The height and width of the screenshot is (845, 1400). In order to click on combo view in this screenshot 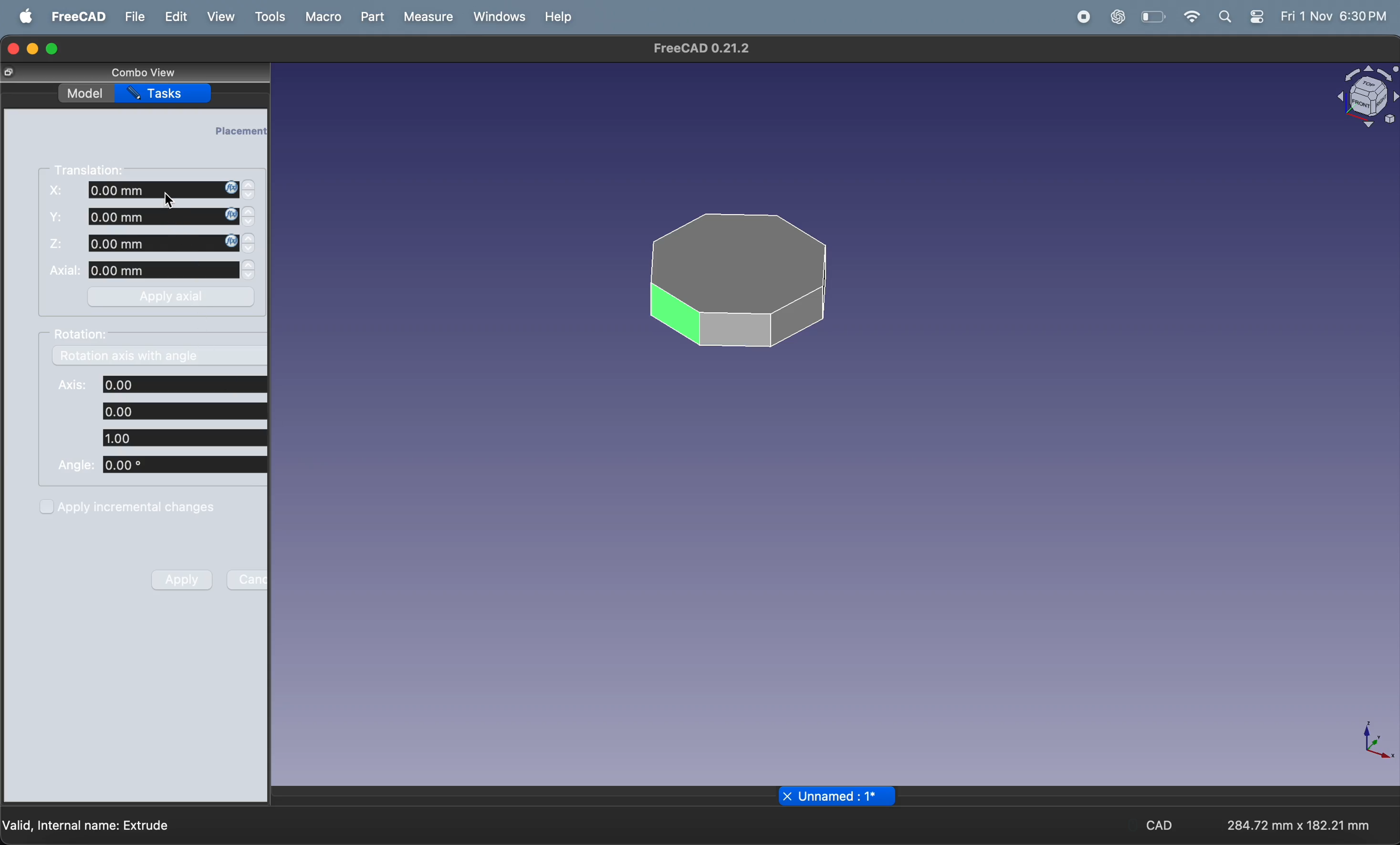, I will do `click(140, 72)`.